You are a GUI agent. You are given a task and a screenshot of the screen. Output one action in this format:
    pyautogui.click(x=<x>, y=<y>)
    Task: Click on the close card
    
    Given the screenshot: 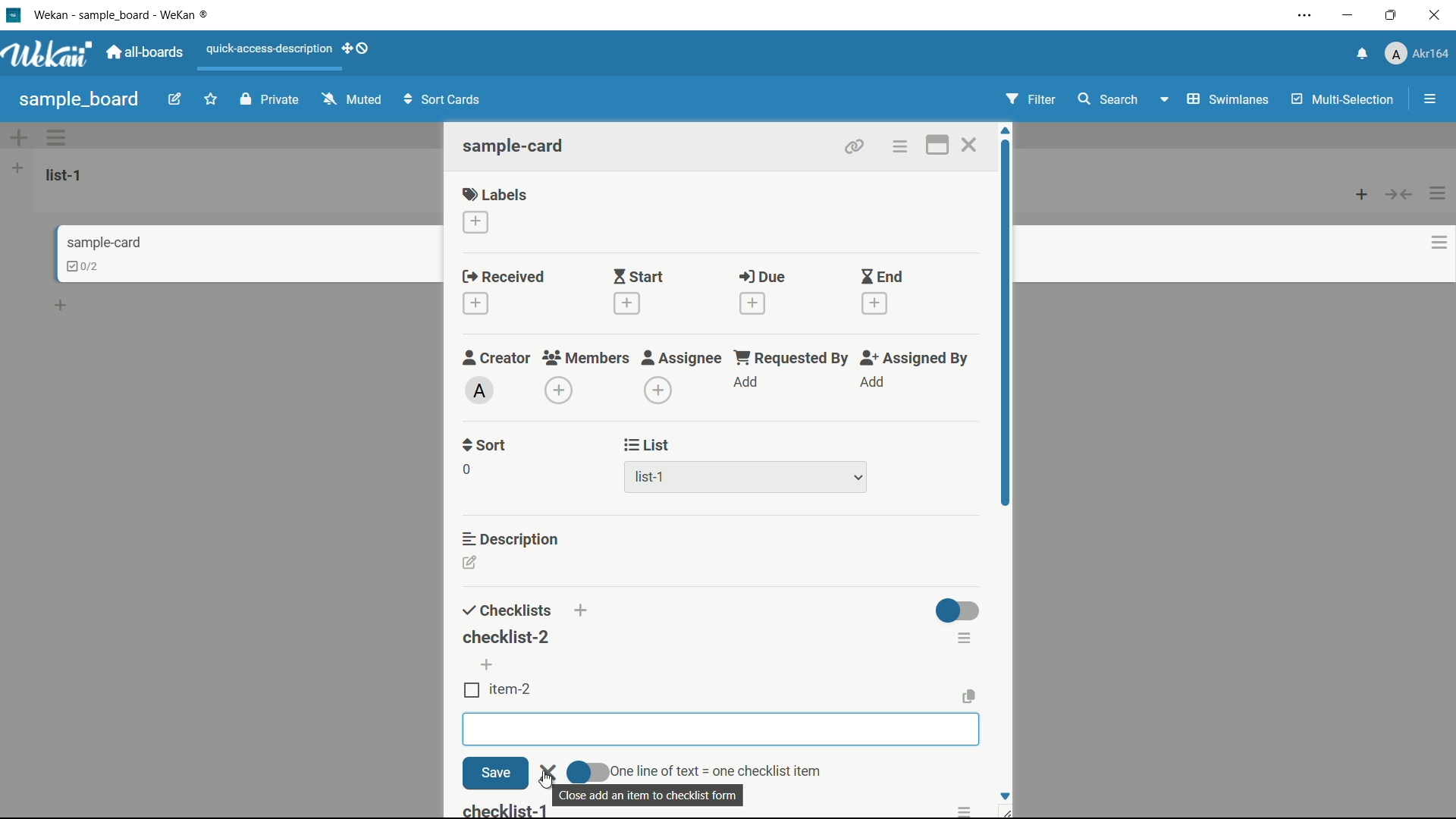 What is the action you would take?
    pyautogui.click(x=968, y=147)
    